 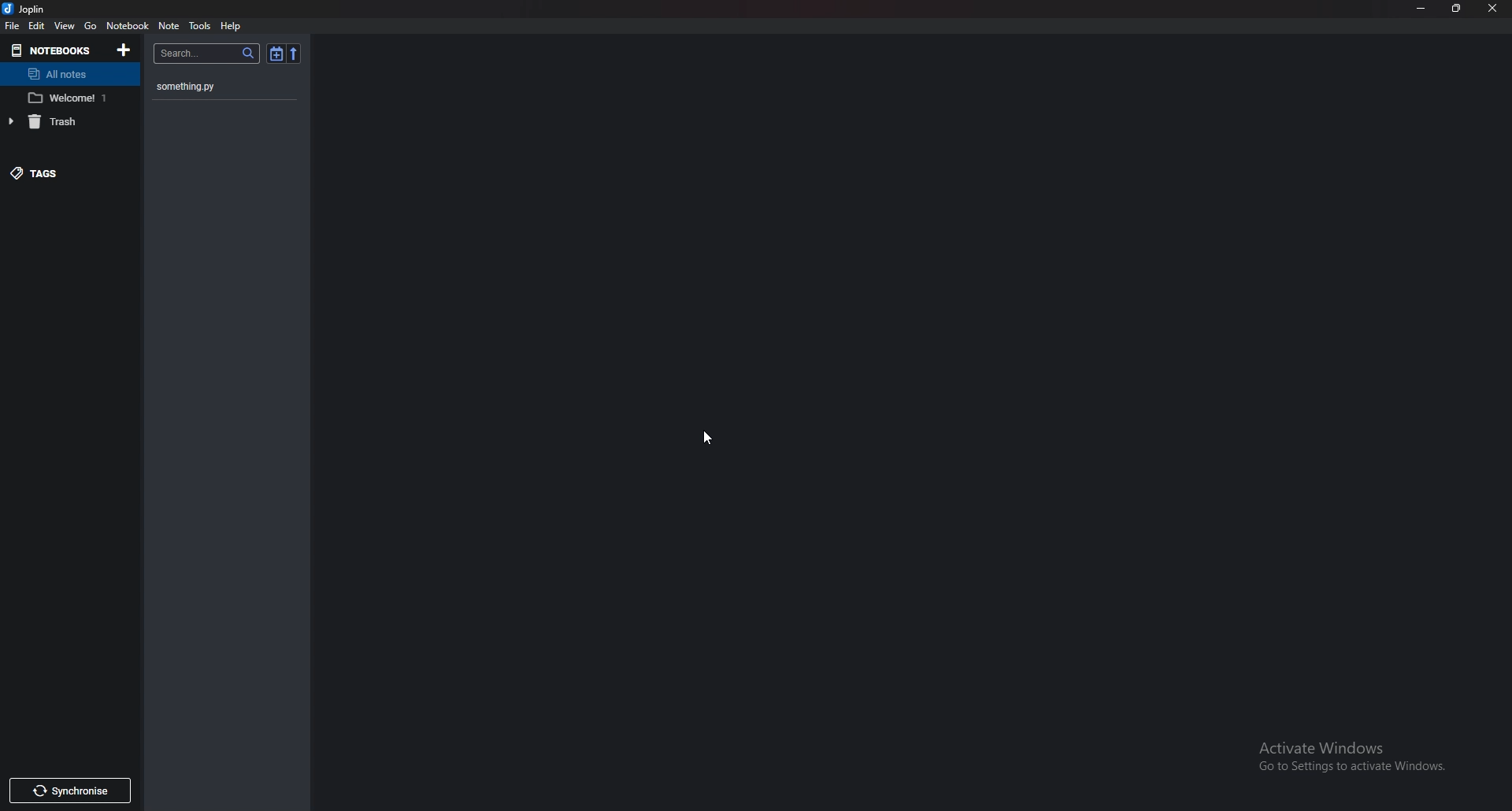 I want to click on trash, so click(x=66, y=120).